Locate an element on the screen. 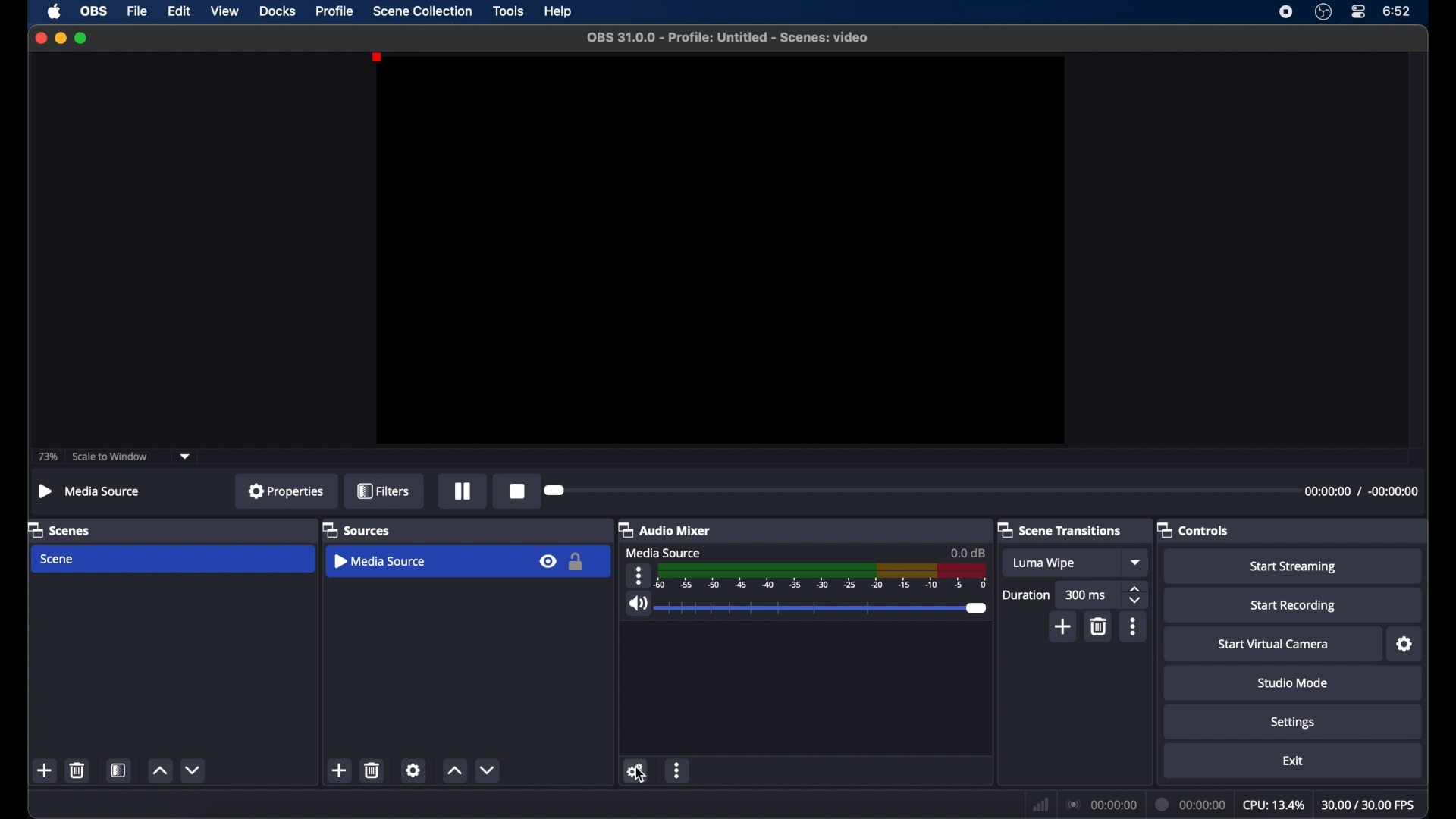  300 ms is located at coordinates (1086, 594).